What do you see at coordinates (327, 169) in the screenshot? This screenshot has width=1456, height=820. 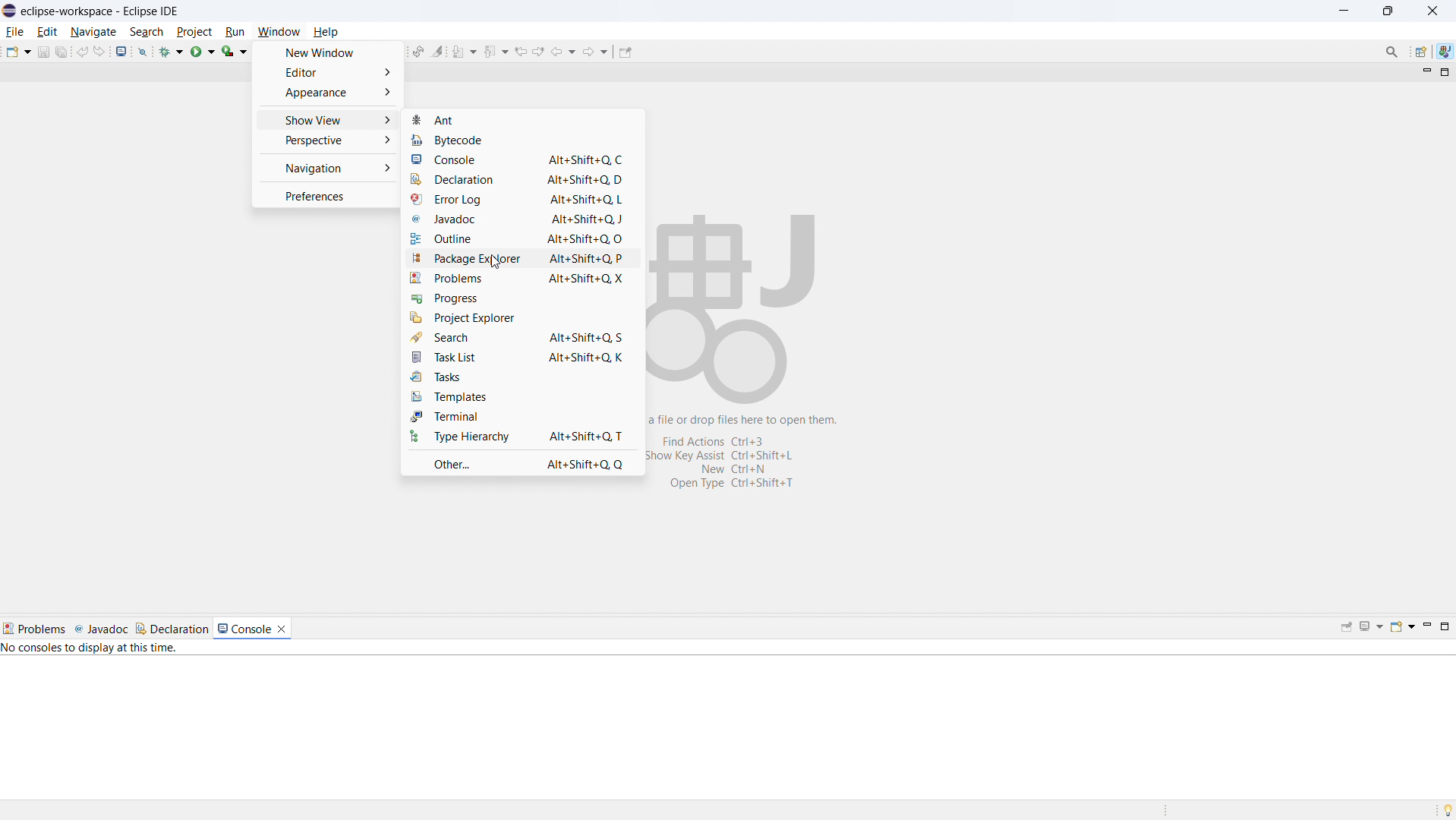 I see `navigation` at bounding box center [327, 169].